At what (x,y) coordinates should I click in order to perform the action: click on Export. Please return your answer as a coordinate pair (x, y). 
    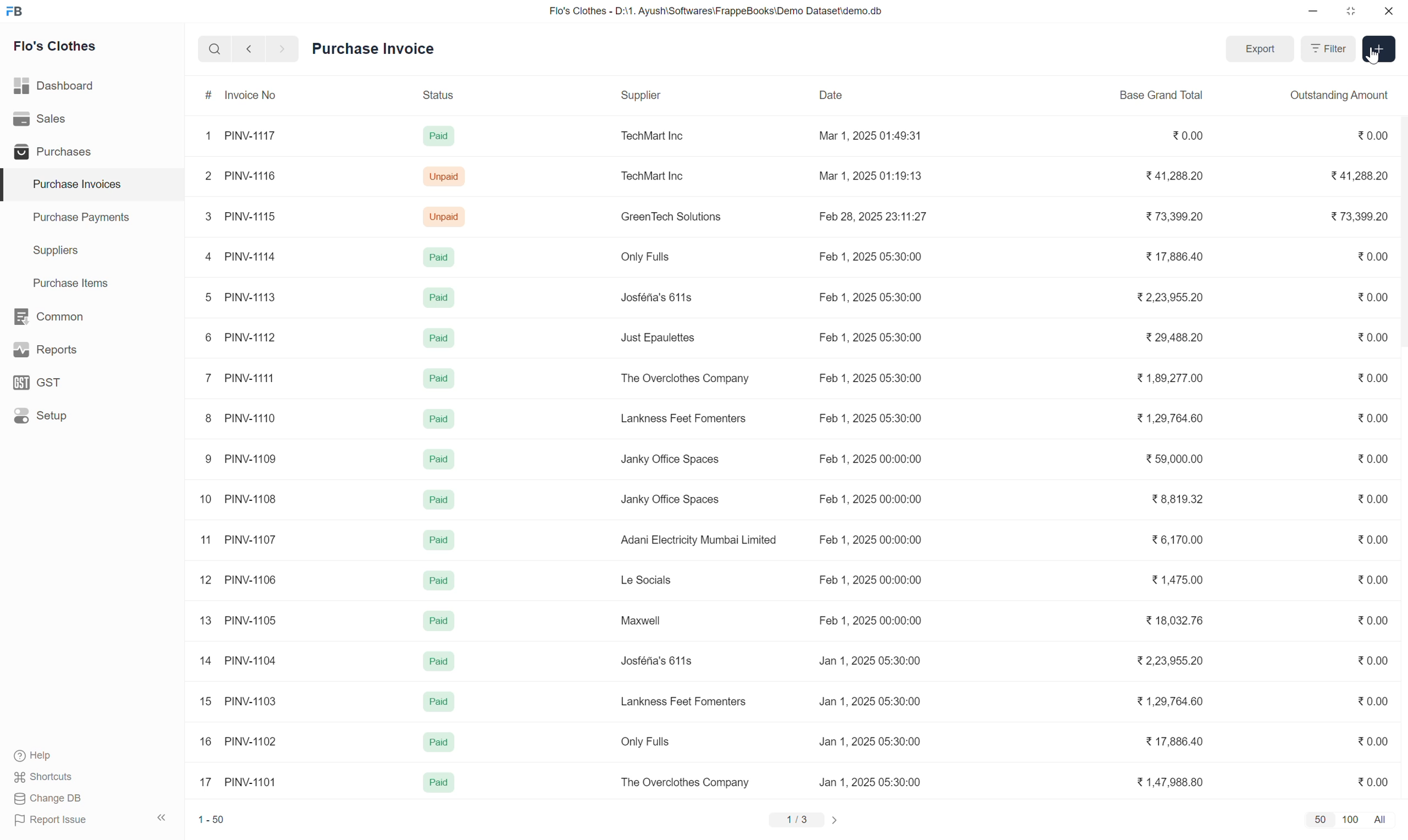
    Looking at the image, I should click on (1260, 49).